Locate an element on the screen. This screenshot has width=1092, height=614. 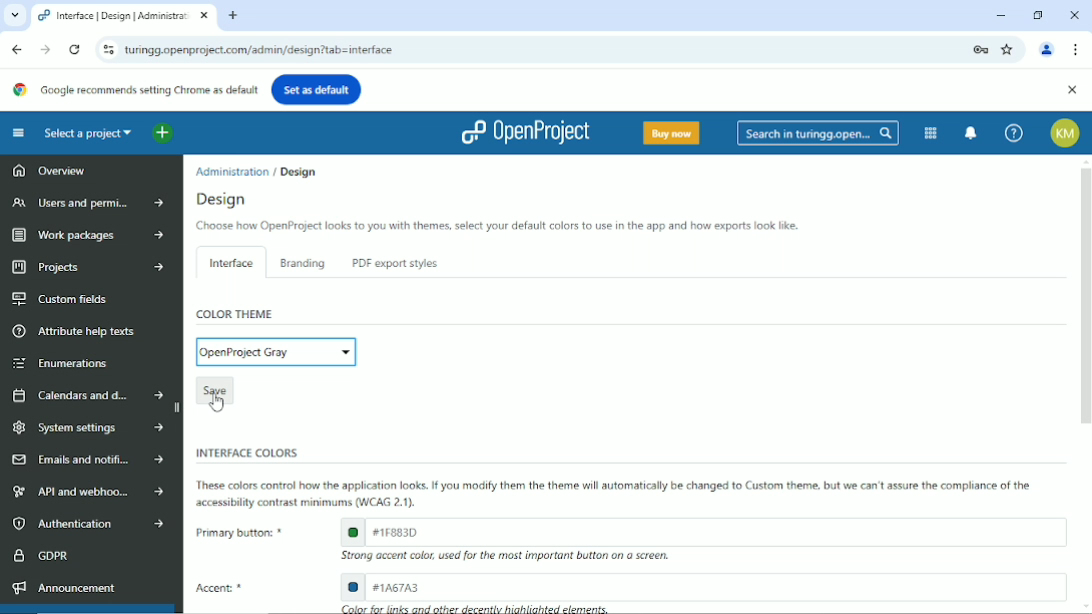
Interface | Design | Administra: is located at coordinates (113, 16).